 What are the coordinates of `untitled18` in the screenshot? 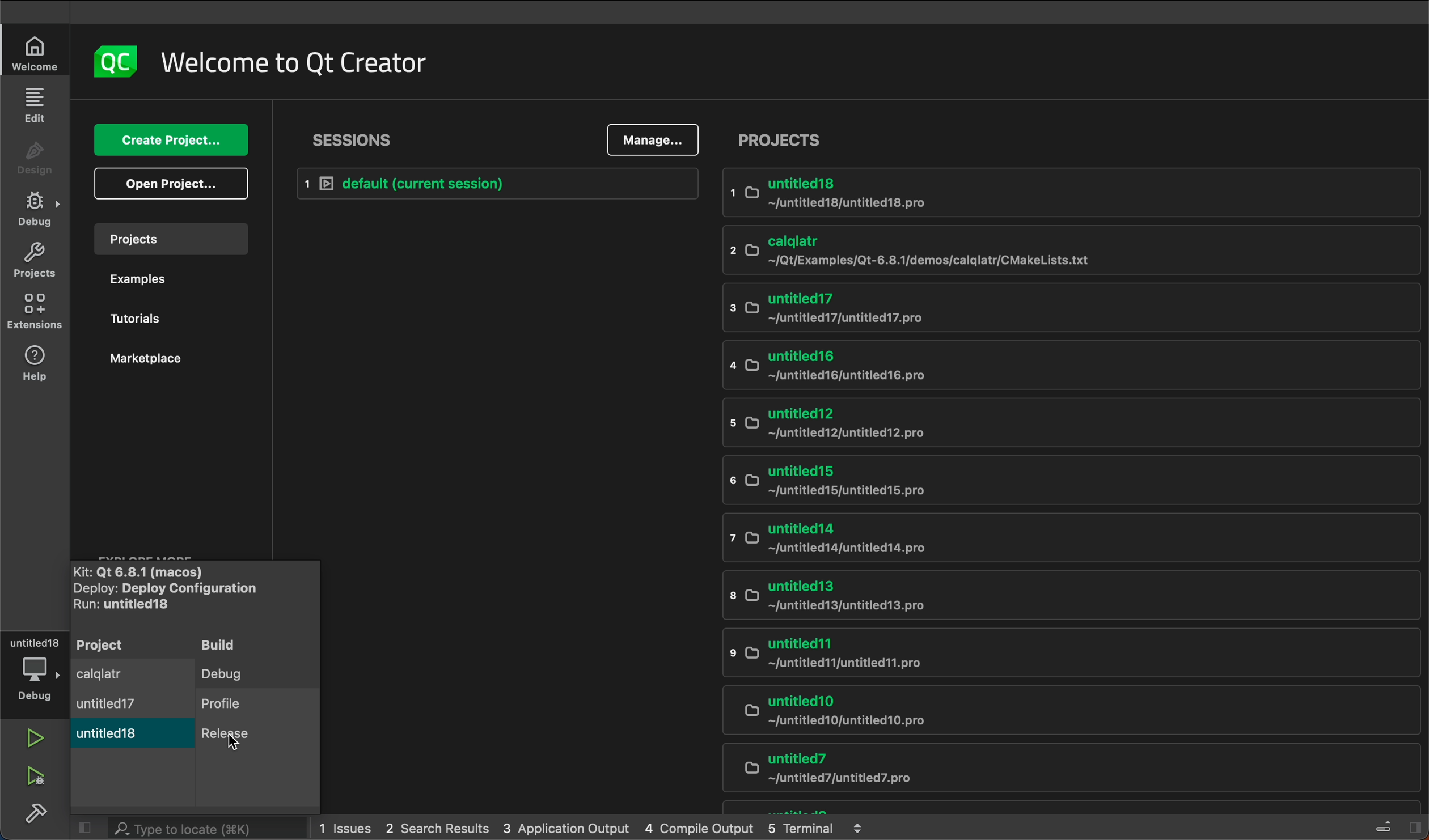 It's located at (995, 196).